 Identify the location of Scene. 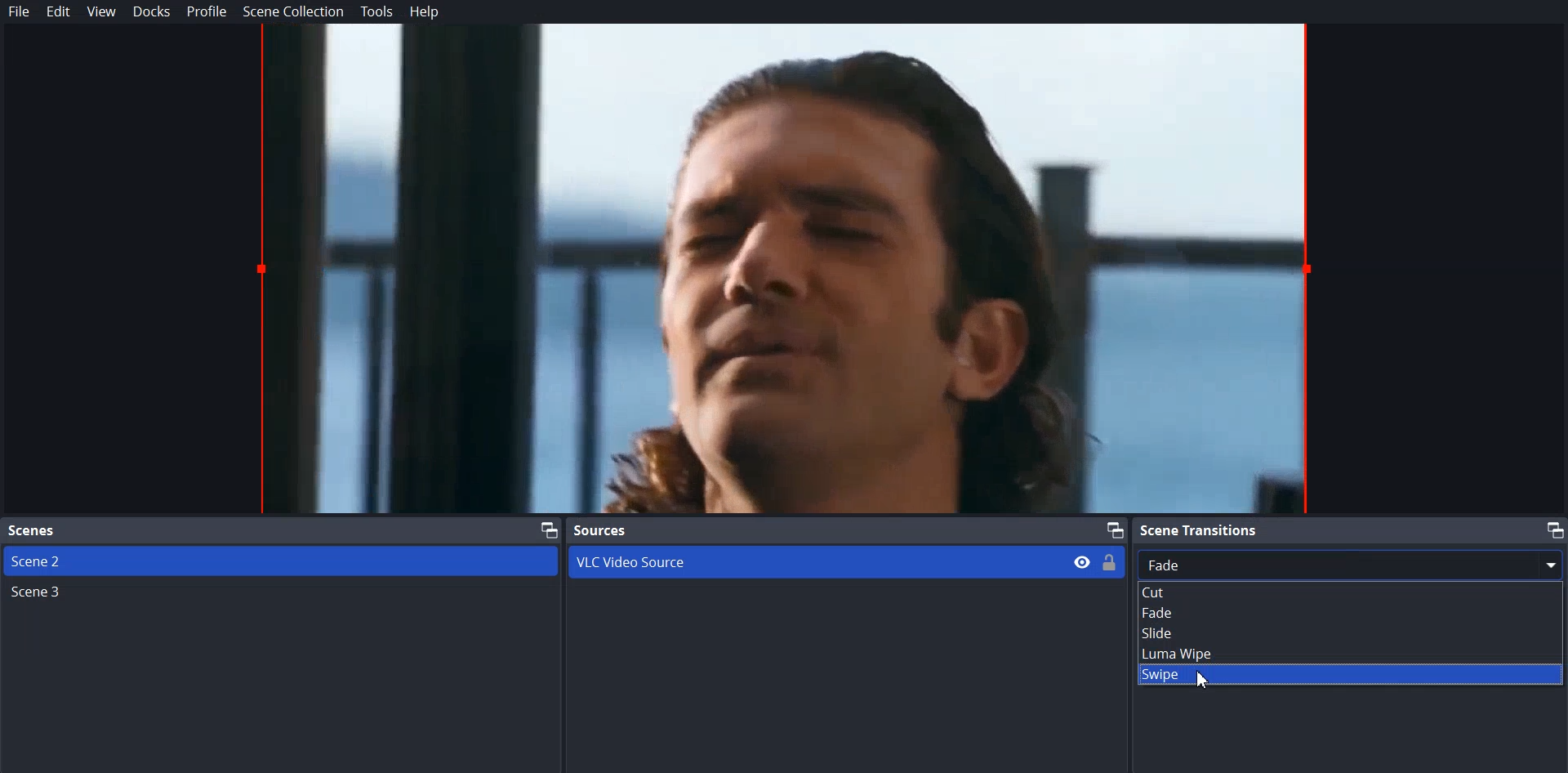
(281, 530).